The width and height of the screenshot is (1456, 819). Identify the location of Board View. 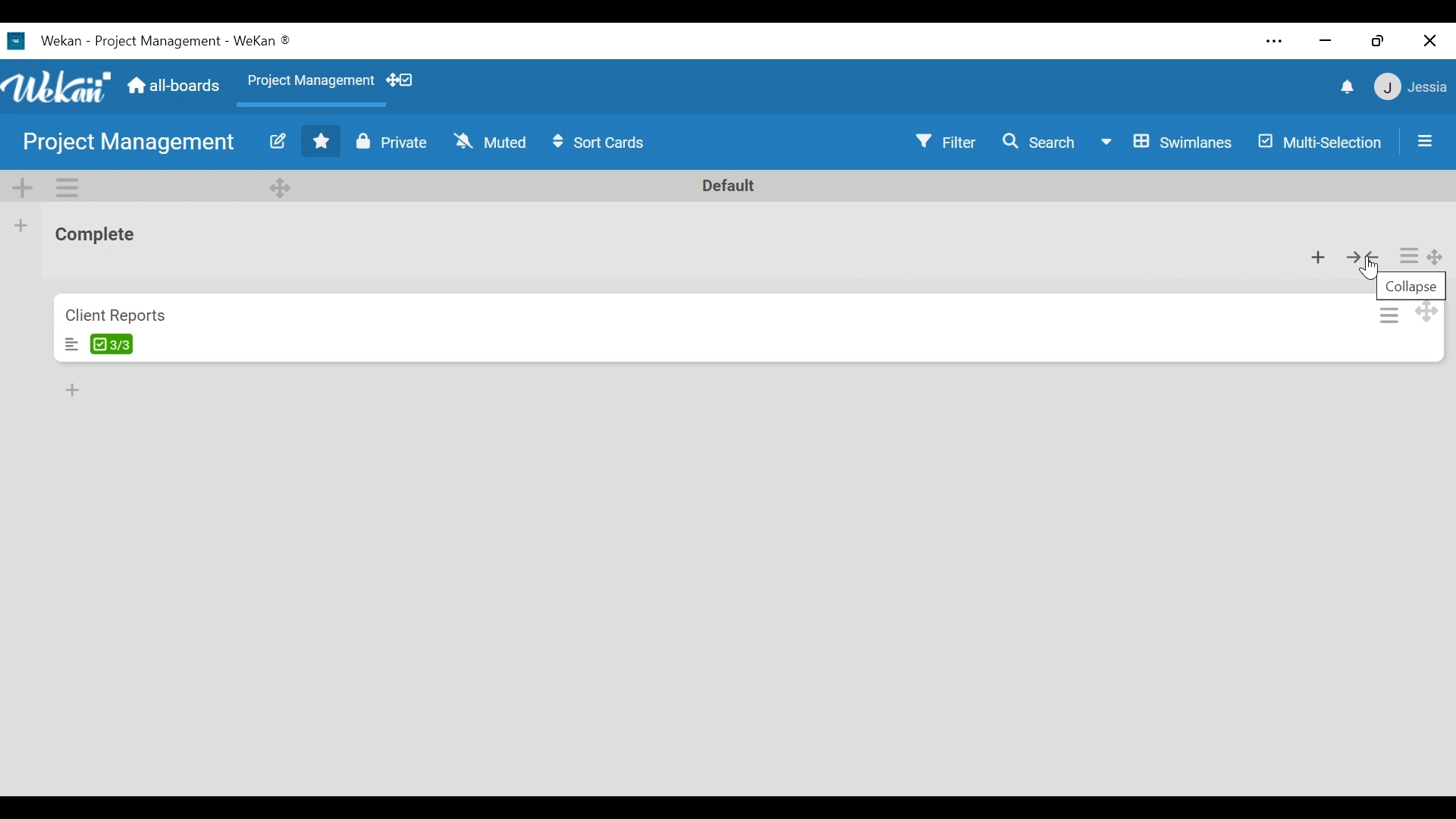
(1168, 142).